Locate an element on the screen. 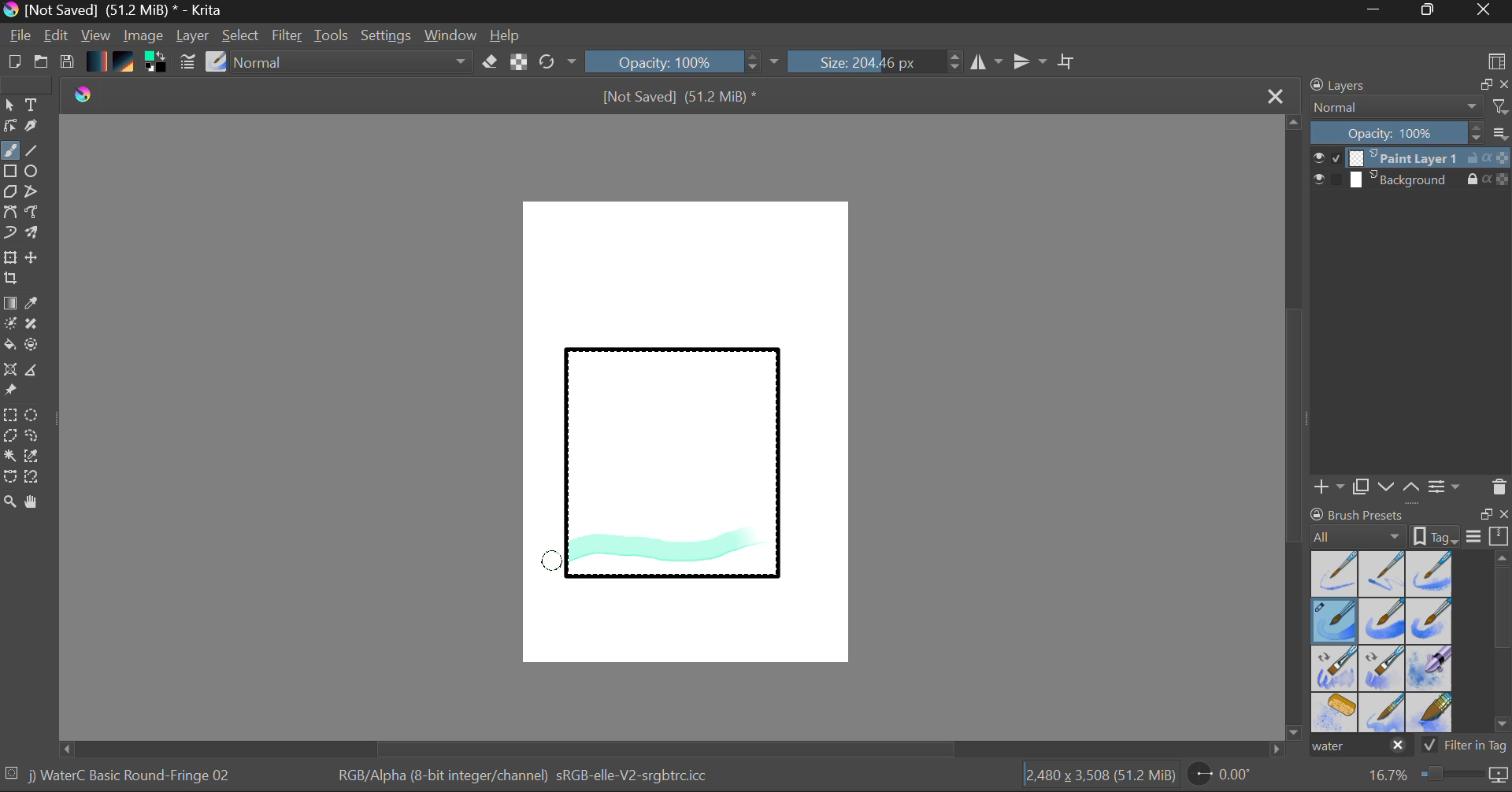  Brush Size is located at coordinates (876, 61).